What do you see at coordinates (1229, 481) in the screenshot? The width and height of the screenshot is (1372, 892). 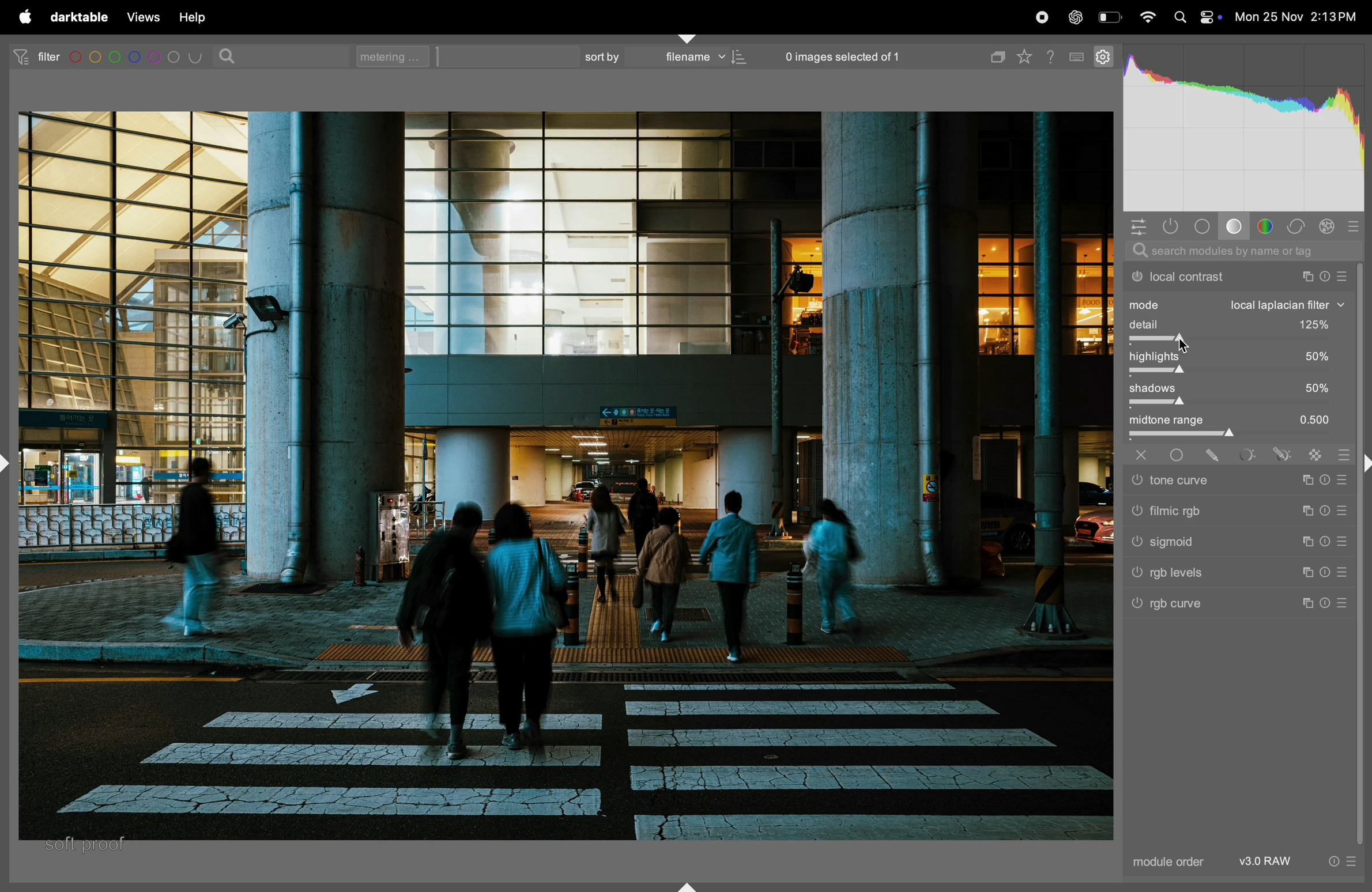 I see `tone curve` at bounding box center [1229, 481].